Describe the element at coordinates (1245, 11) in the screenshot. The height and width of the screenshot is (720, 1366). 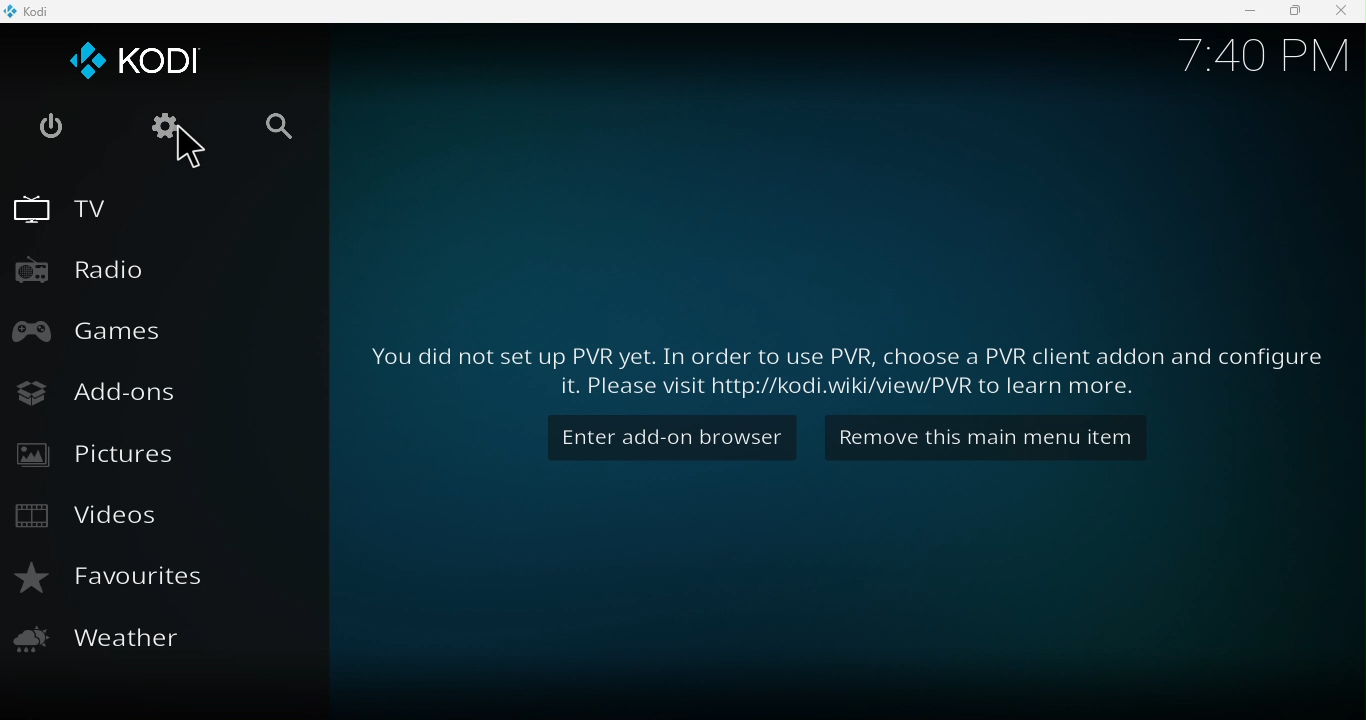
I see `Minimize` at that location.